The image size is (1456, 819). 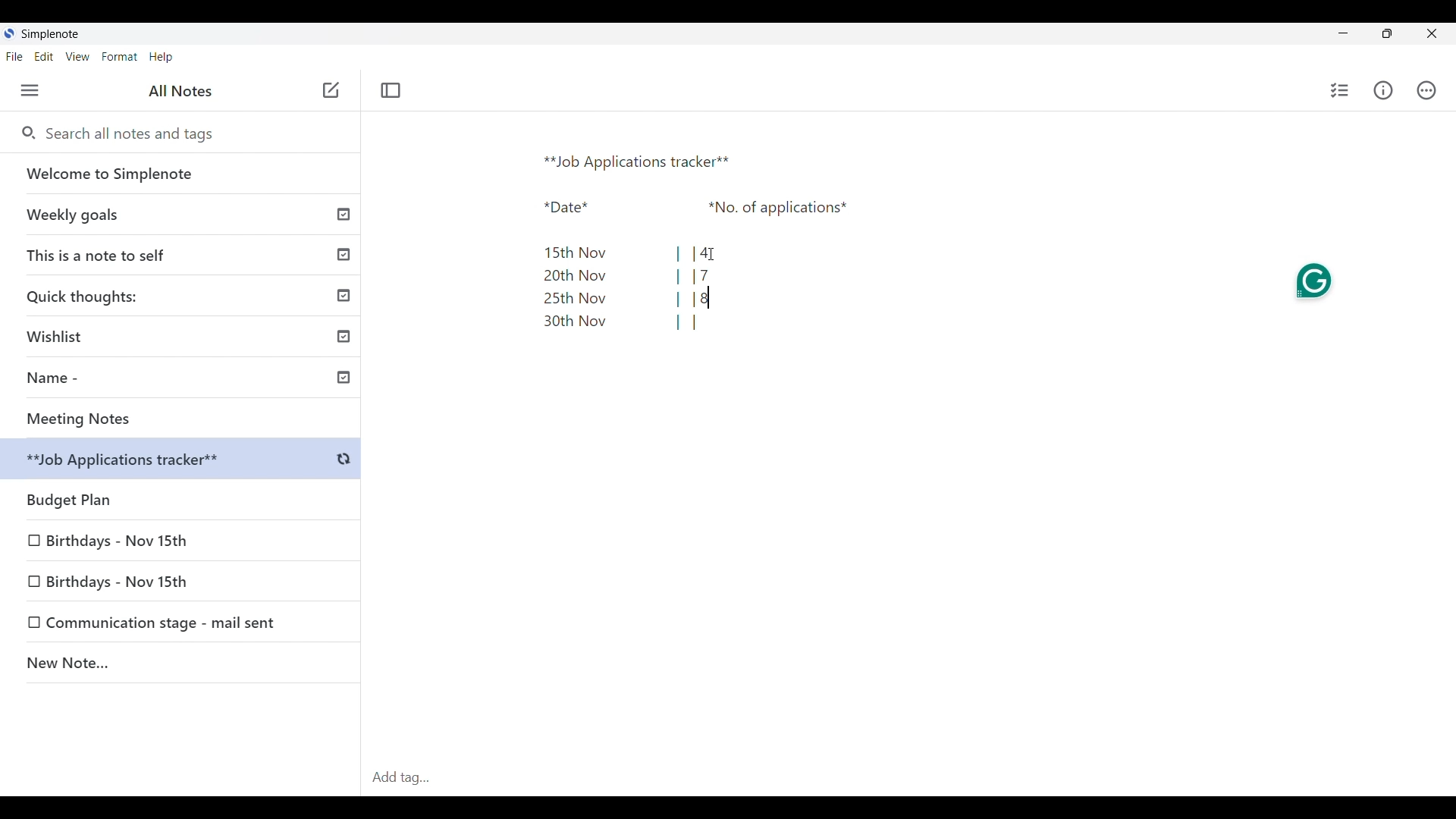 I want to click on Grammarly extension on, so click(x=1315, y=281).